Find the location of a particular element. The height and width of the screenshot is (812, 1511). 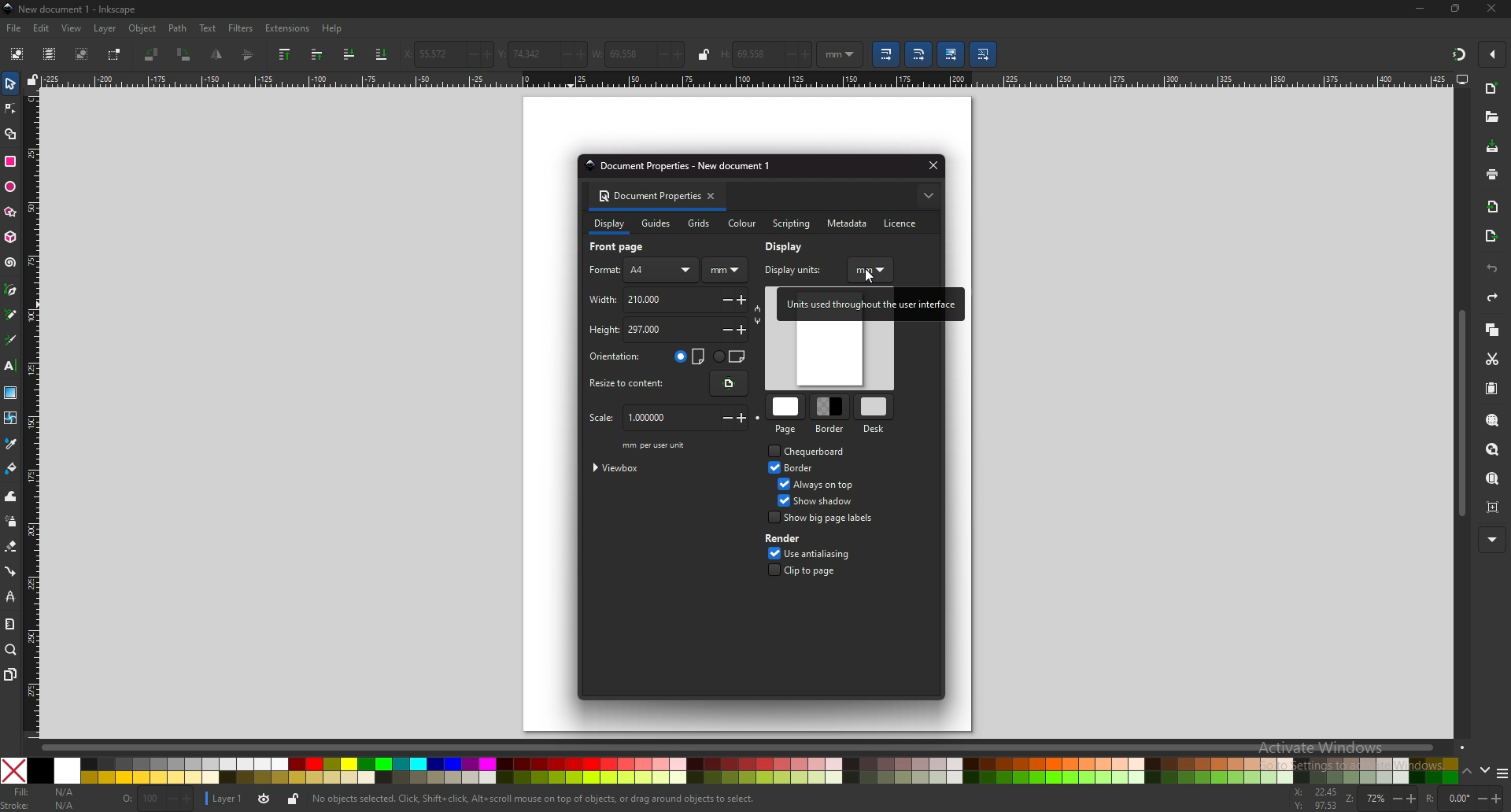

metadata is located at coordinates (848, 224).